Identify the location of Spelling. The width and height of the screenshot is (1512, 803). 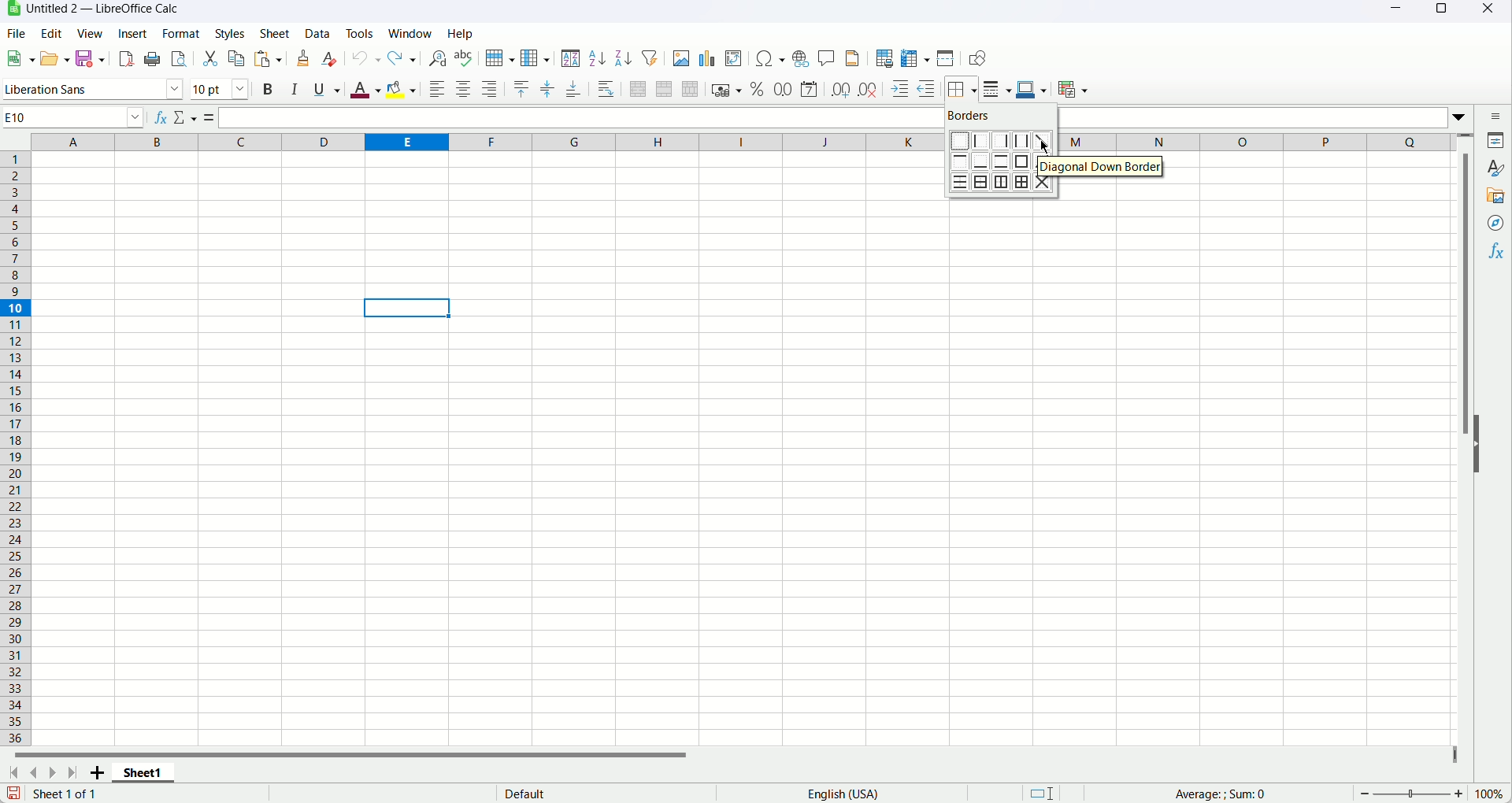
(465, 58).